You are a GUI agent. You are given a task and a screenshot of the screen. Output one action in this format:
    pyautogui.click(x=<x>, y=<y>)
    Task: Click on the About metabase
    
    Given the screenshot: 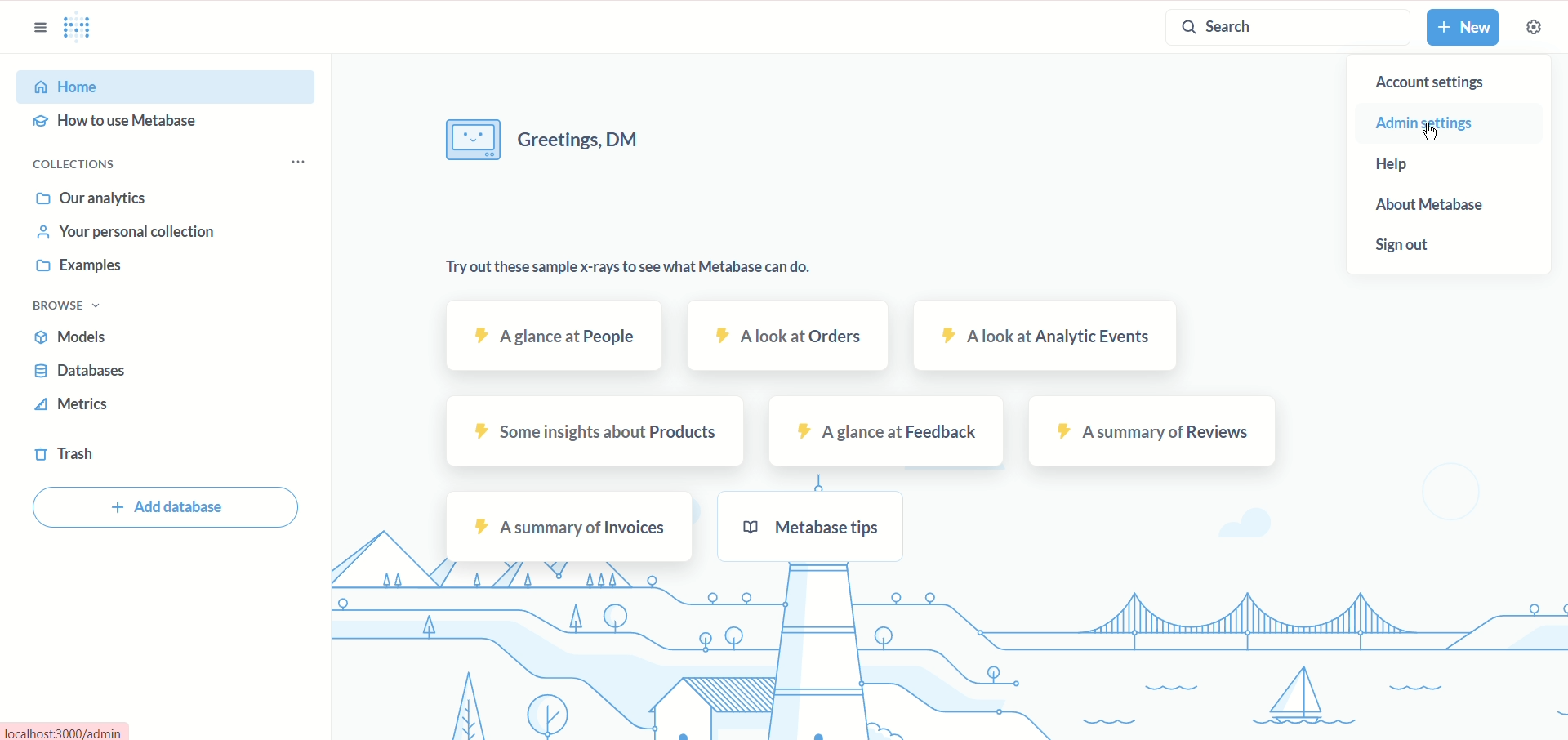 What is the action you would take?
    pyautogui.click(x=1428, y=204)
    